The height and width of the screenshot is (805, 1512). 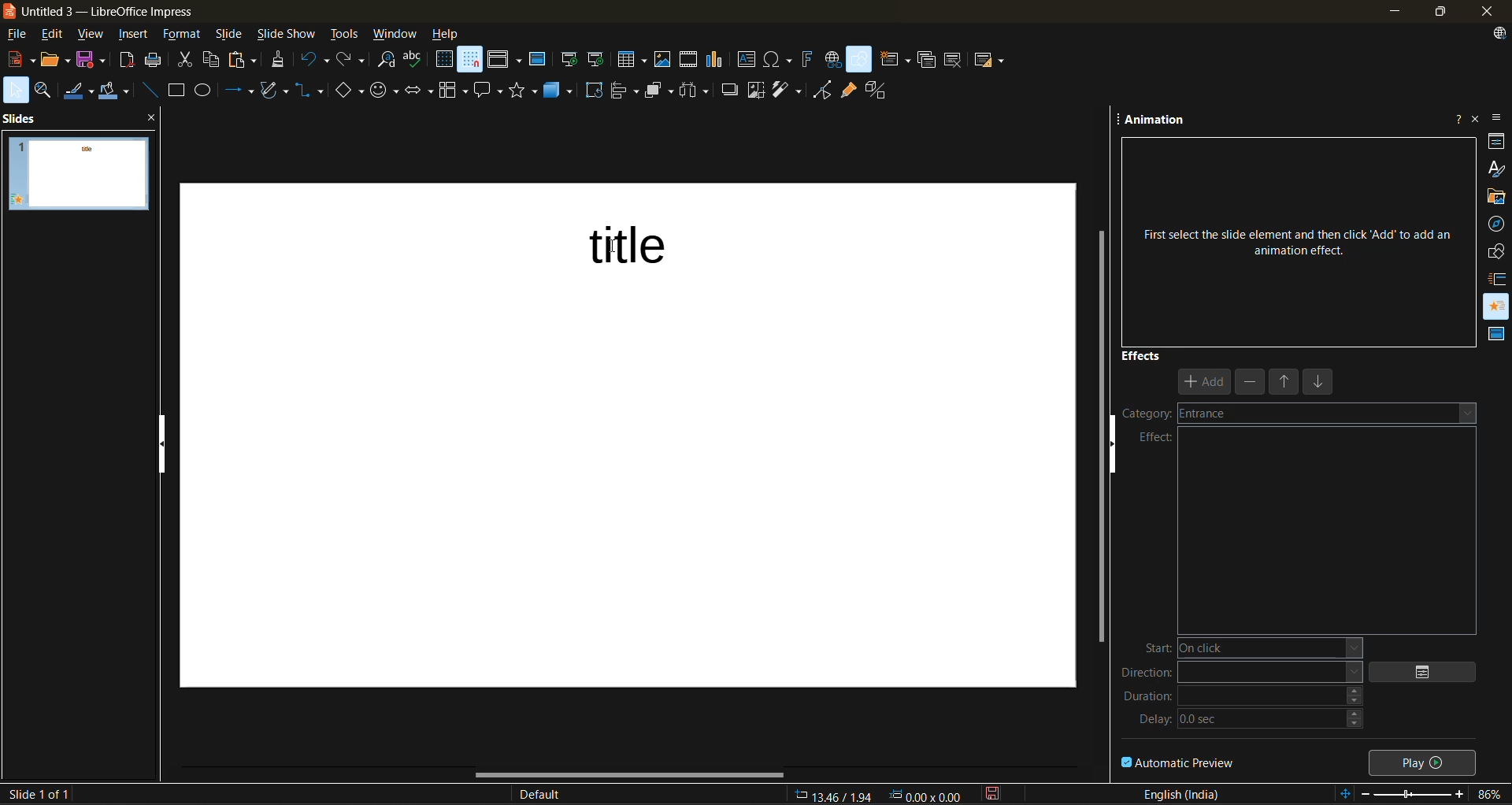 I want to click on filter, so click(x=789, y=91).